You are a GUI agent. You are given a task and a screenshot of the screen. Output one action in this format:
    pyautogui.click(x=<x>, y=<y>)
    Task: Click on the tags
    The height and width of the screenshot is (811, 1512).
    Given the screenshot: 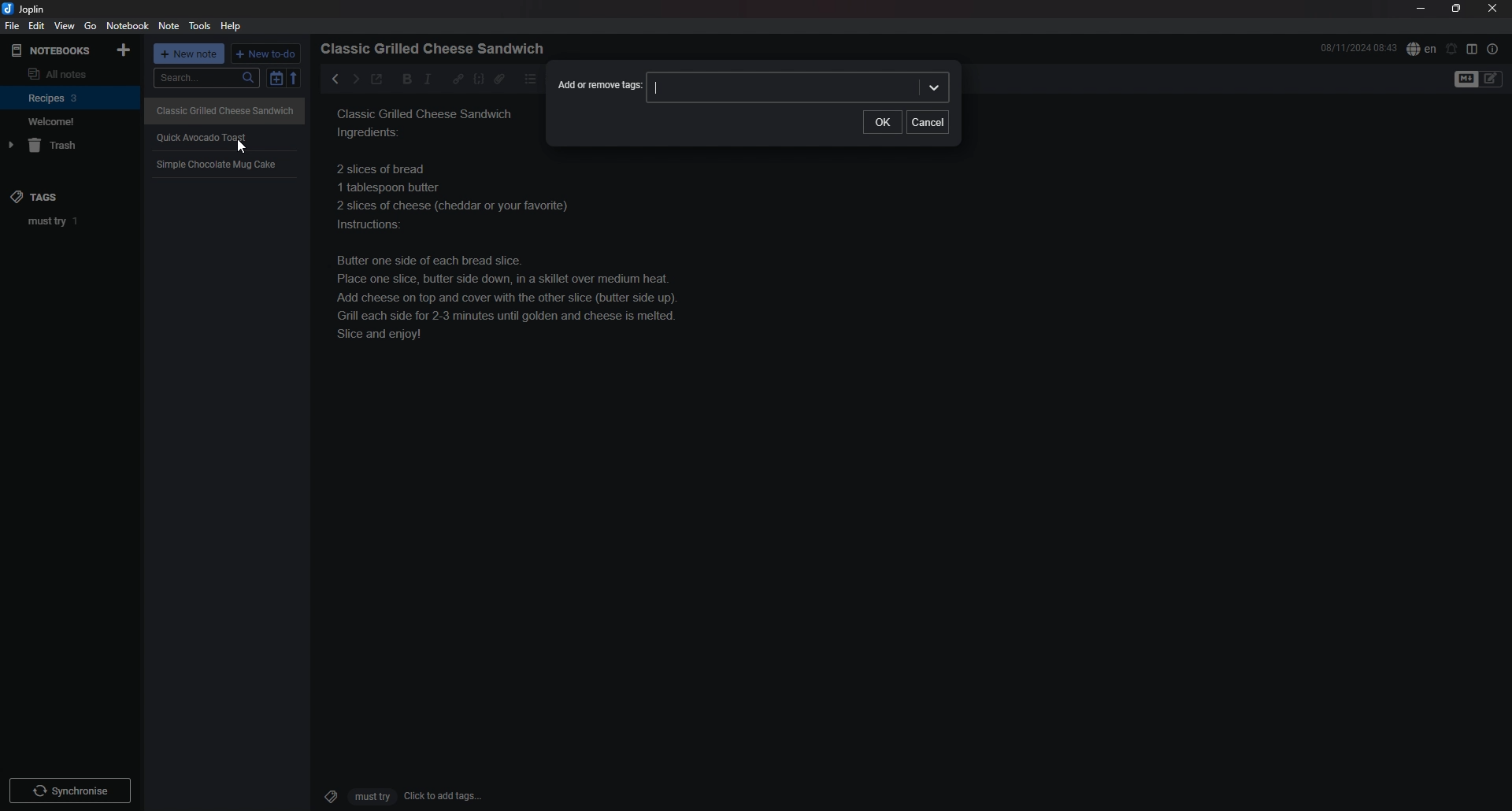 What is the action you would take?
    pyautogui.click(x=48, y=196)
    